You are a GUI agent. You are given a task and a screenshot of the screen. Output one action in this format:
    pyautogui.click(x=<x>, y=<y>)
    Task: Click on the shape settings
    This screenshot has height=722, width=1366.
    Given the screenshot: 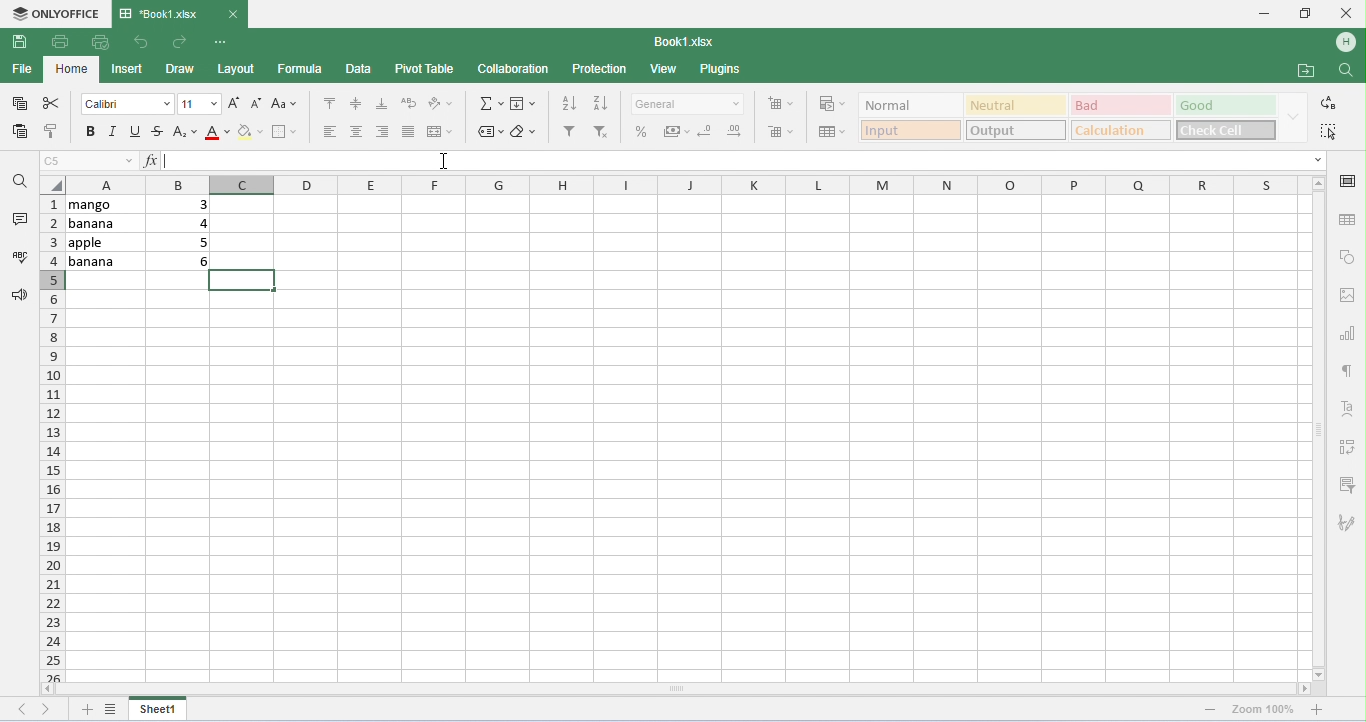 What is the action you would take?
    pyautogui.click(x=1349, y=258)
    